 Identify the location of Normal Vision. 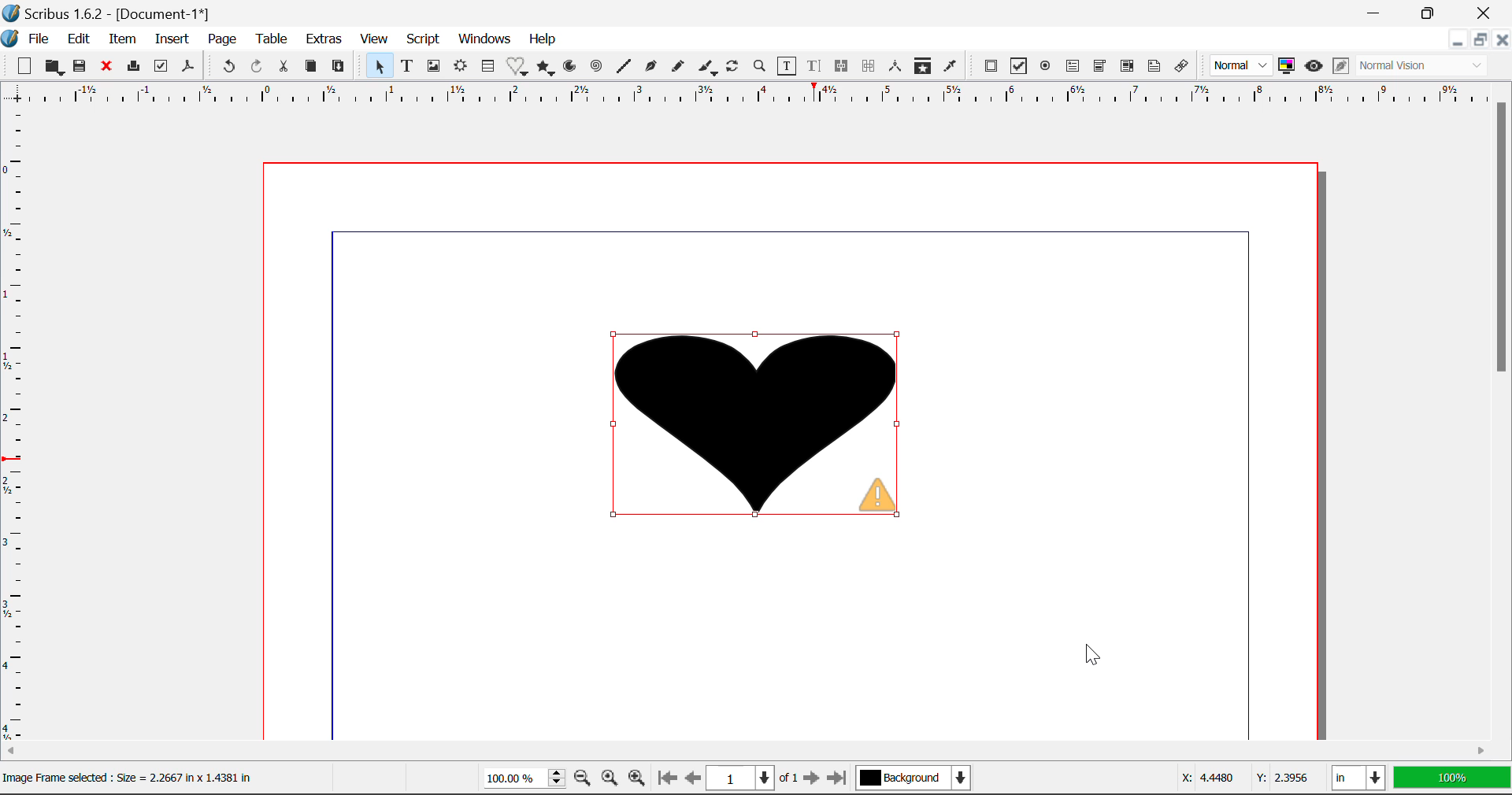
(1424, 67).